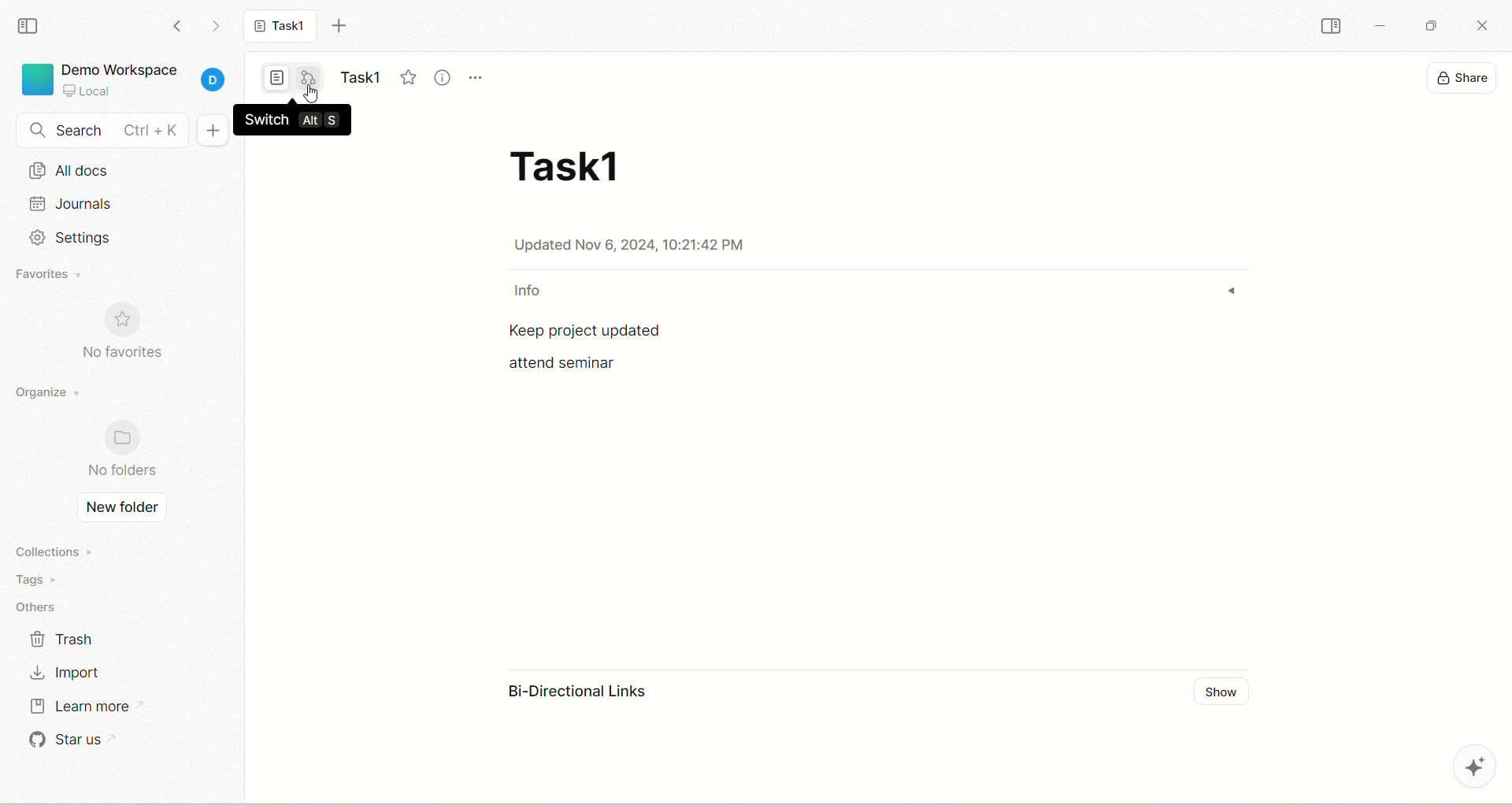 The image size is (1512, 805). I want to click on new folder, so click(121, 509).